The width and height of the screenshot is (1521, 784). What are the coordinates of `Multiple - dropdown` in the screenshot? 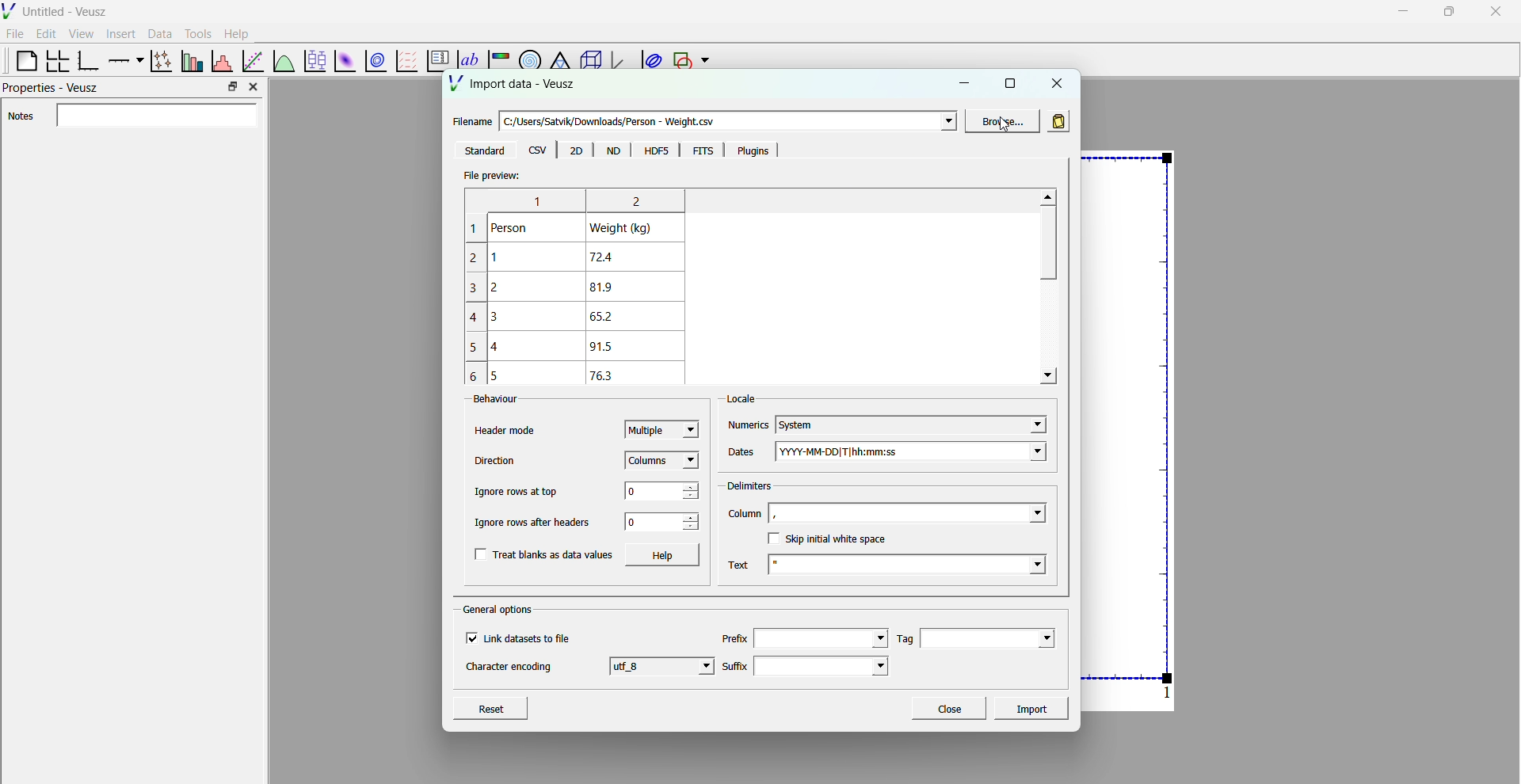 It's located at (661, 429).